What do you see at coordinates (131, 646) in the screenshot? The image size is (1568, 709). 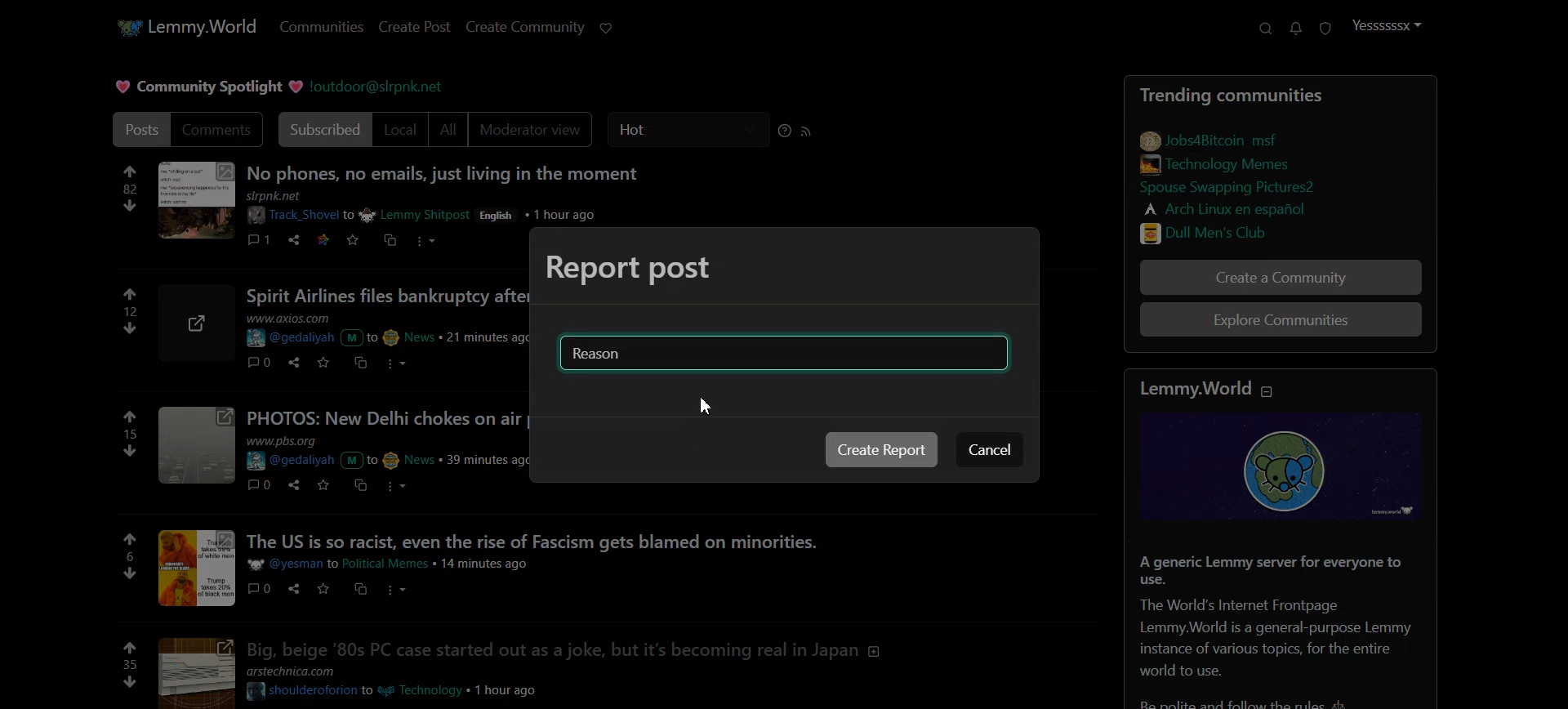 I see `upvote` at bounding box center [131, 646].